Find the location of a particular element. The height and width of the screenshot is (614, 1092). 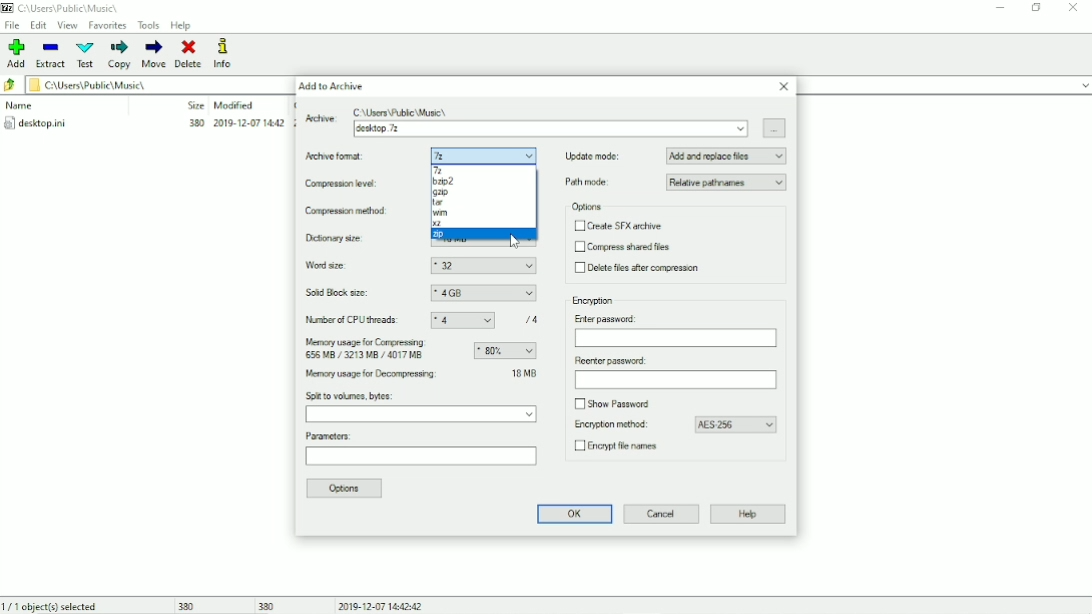

Options is located at coordinates (346, 489).